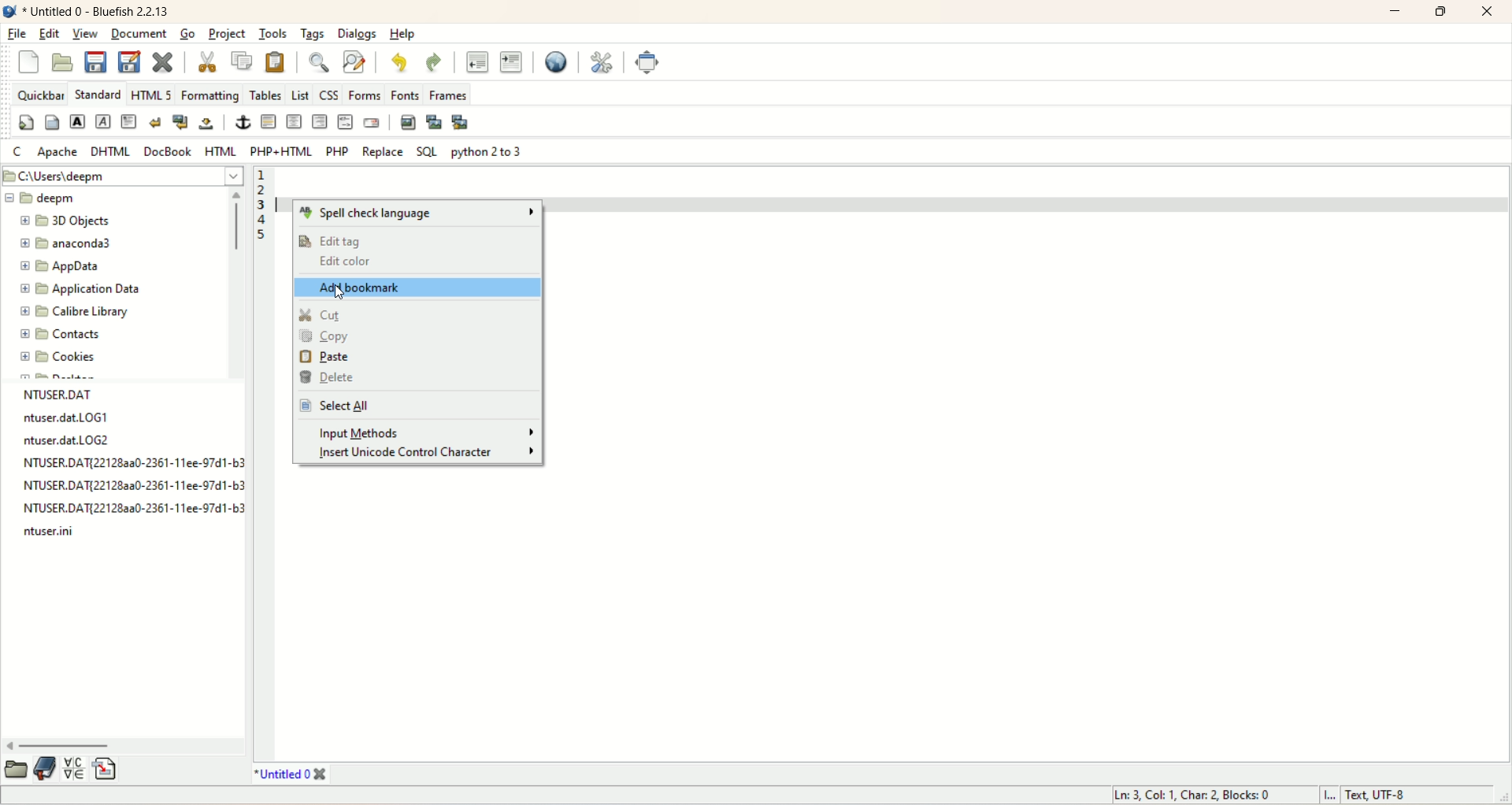 The width and height of the screenshot is (1512, 805). Describe the element at coordinates (132, 510) in the screenshot. I see `file name` at that location.